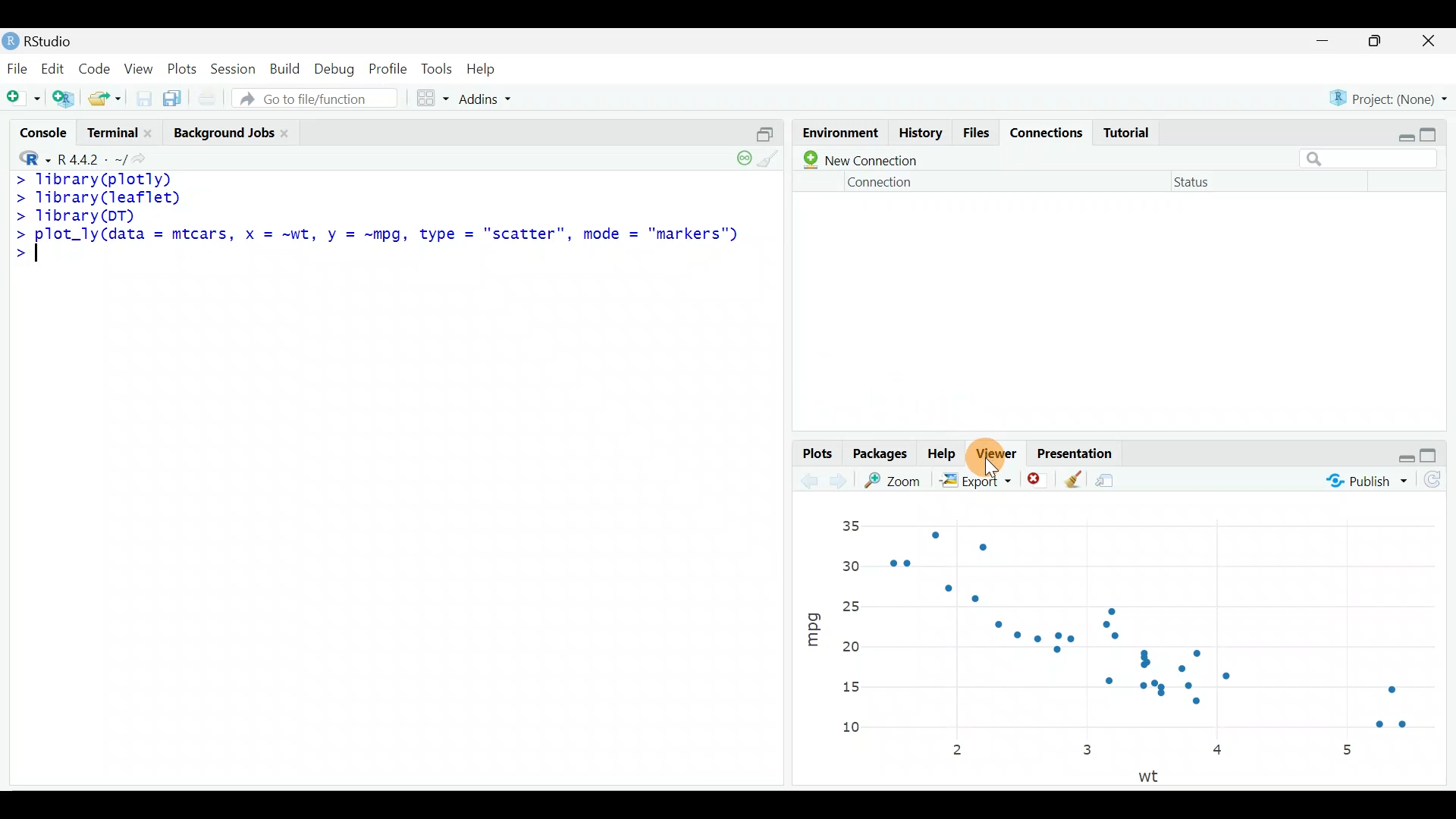 The height and width of the screenshot is (819, 1456). Describe the element at coordinates (1351, 747) in the screenshot. I see `5` at that location.